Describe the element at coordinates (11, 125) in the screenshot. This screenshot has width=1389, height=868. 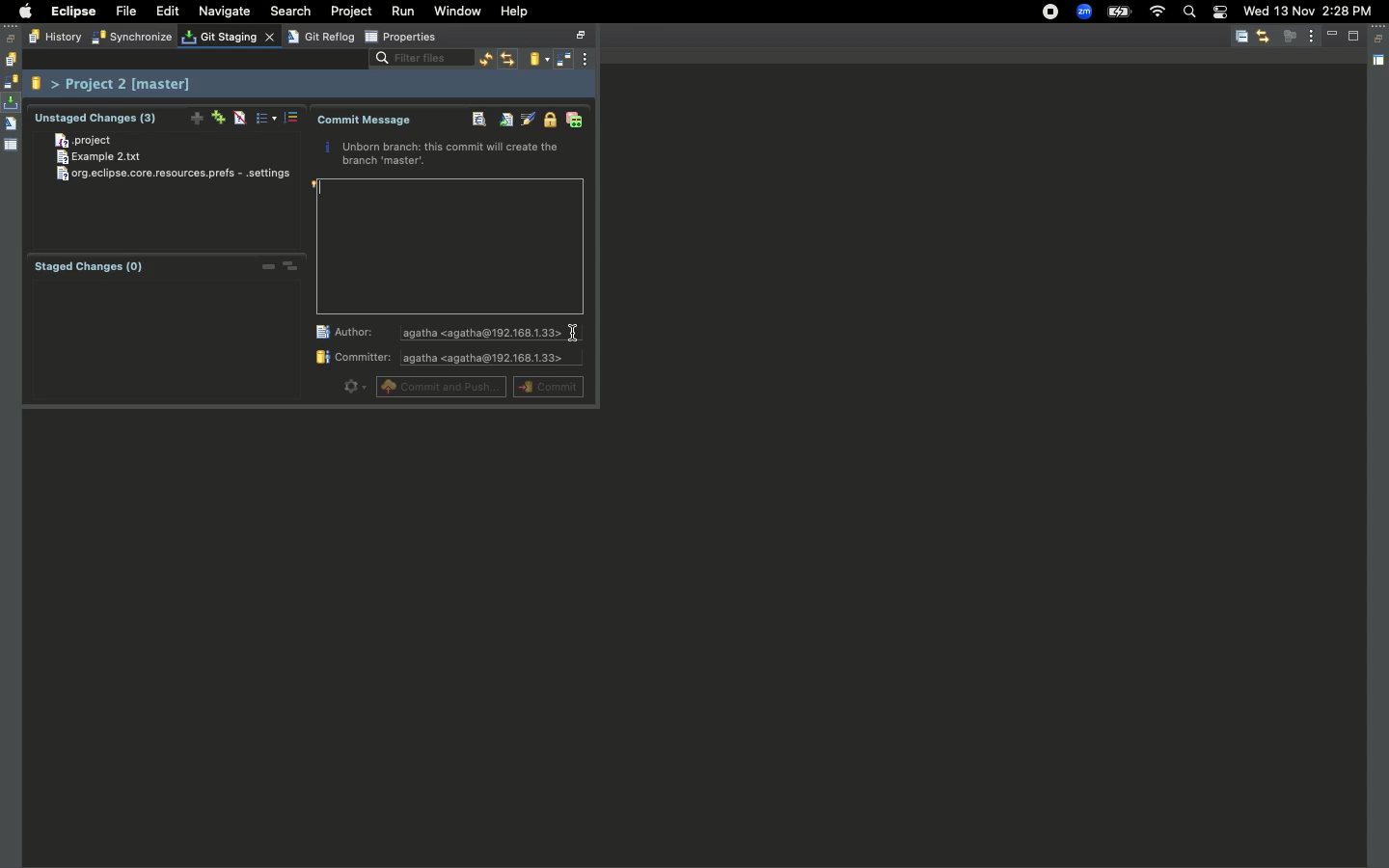
I see `Git reflog` at that location.